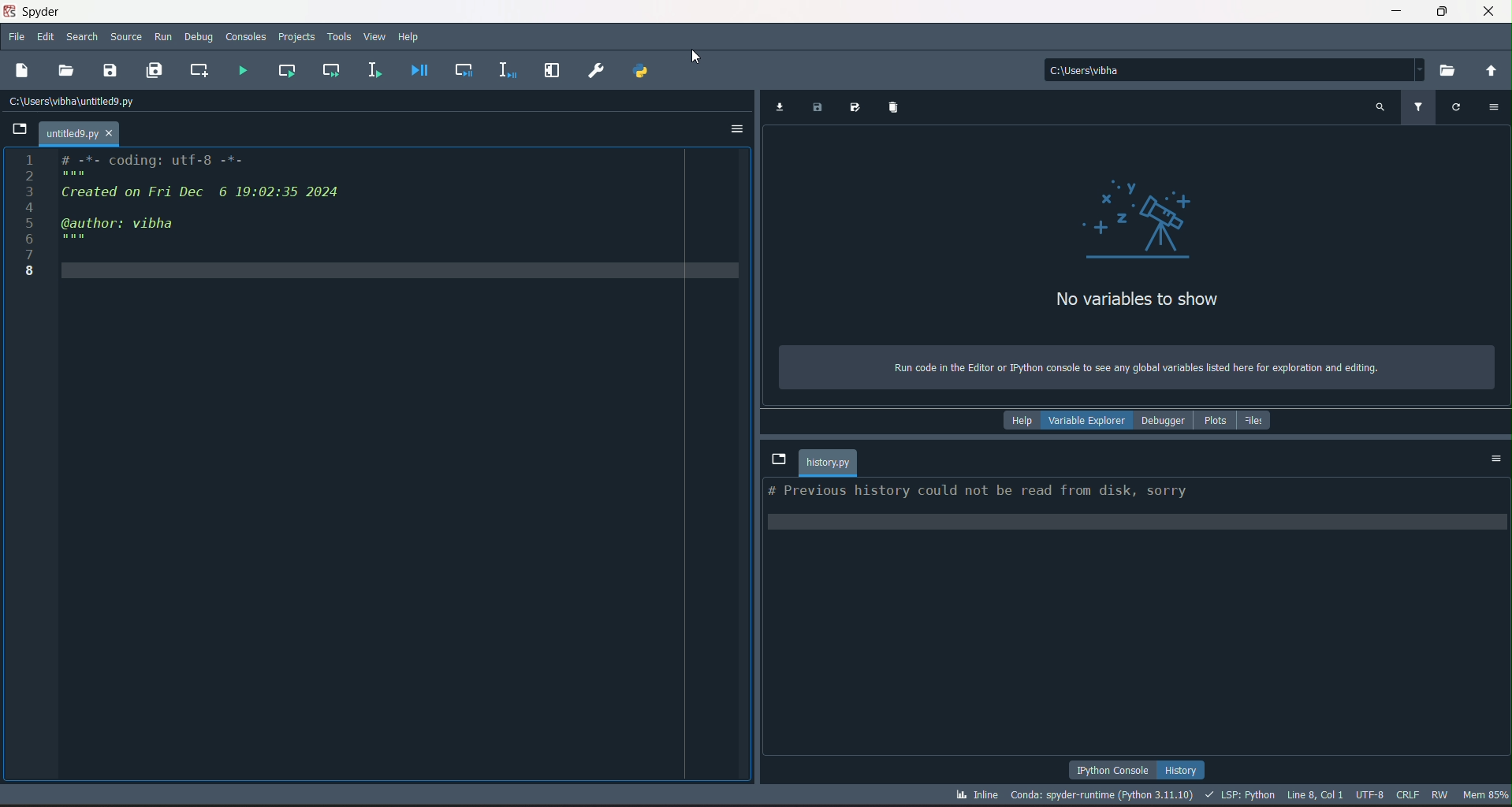 The image size is (1512, 807). What do you see at coordinates (164, 38) in the screenshot?
I see `run` at bounding box center [164, 38].